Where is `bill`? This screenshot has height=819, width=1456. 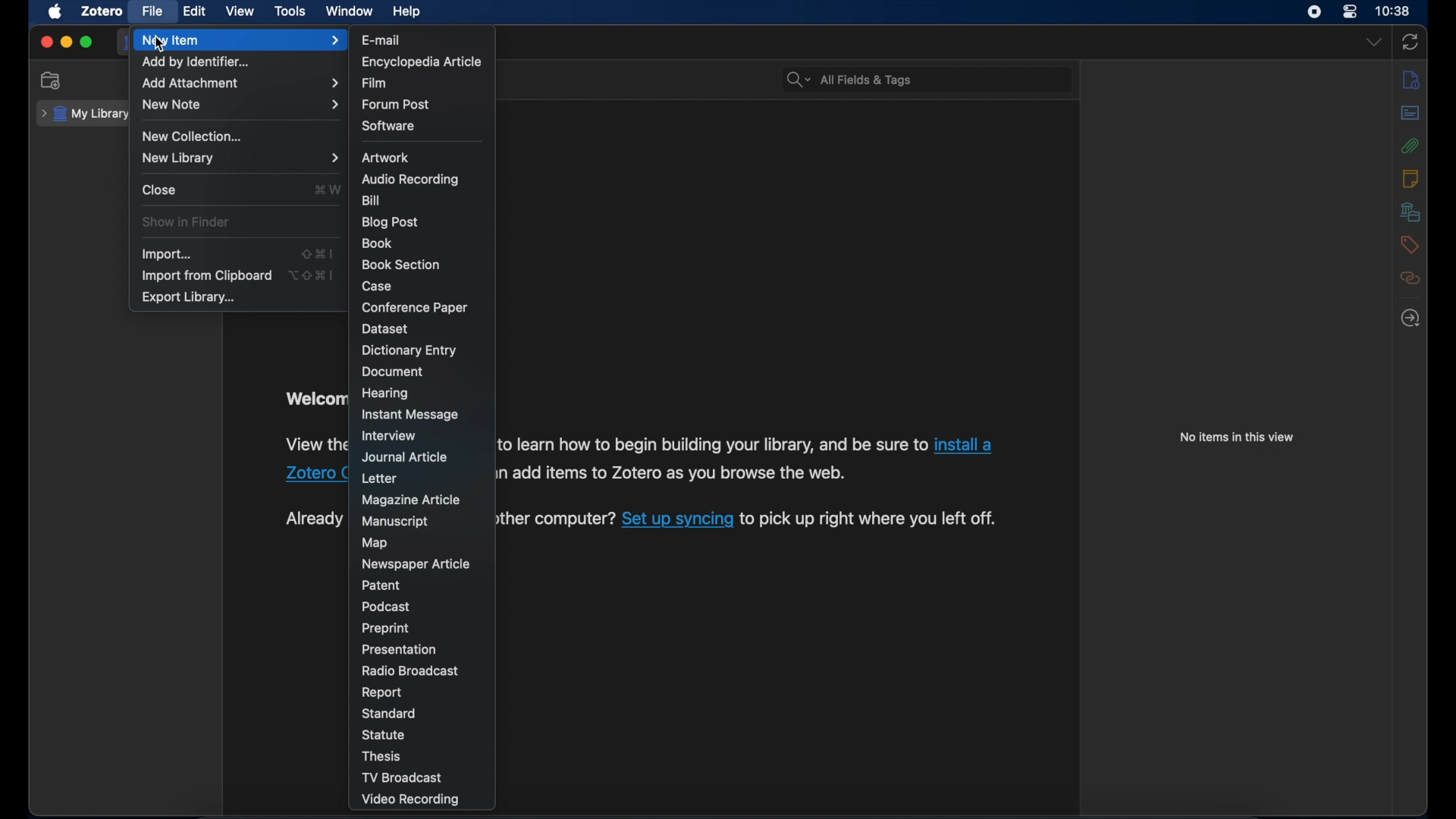 bill is located at coordinates (378, 201).